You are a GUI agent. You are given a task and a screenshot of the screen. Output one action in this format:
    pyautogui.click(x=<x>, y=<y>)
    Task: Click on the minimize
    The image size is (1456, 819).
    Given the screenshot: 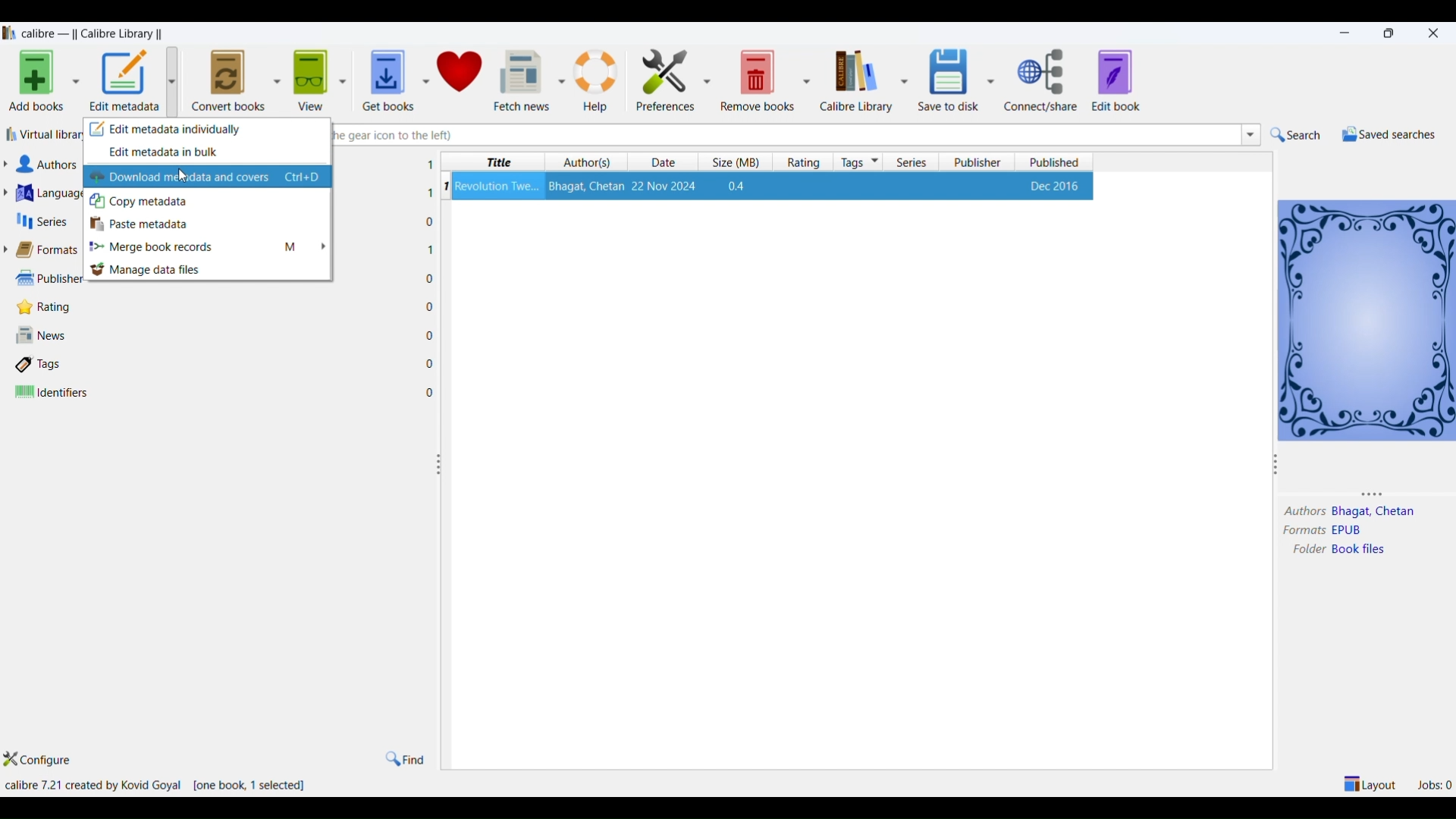 What is the action you would take?
    pyautogui.click(x=1348, y=33)
    